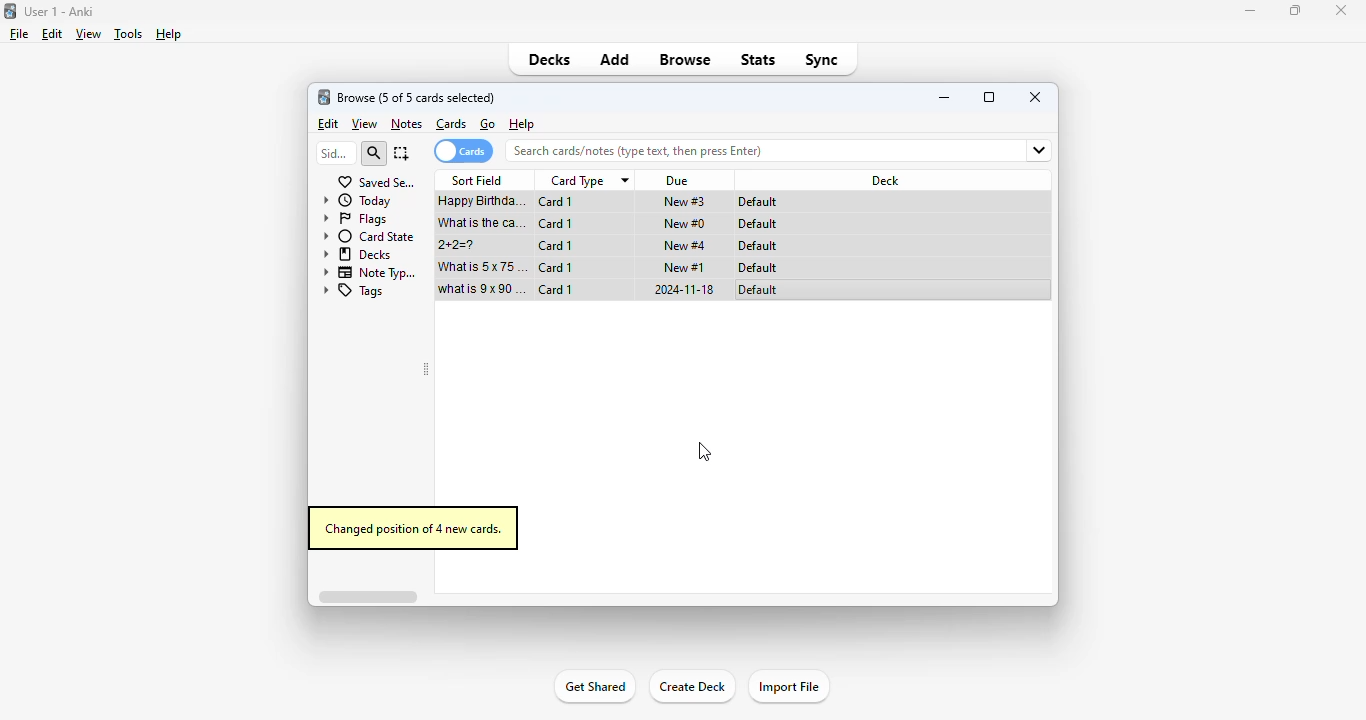 The image size is (1366, 720). Describe the element at coordinates (556, 289) in the screenshot. I see `card 1 ` at that location.